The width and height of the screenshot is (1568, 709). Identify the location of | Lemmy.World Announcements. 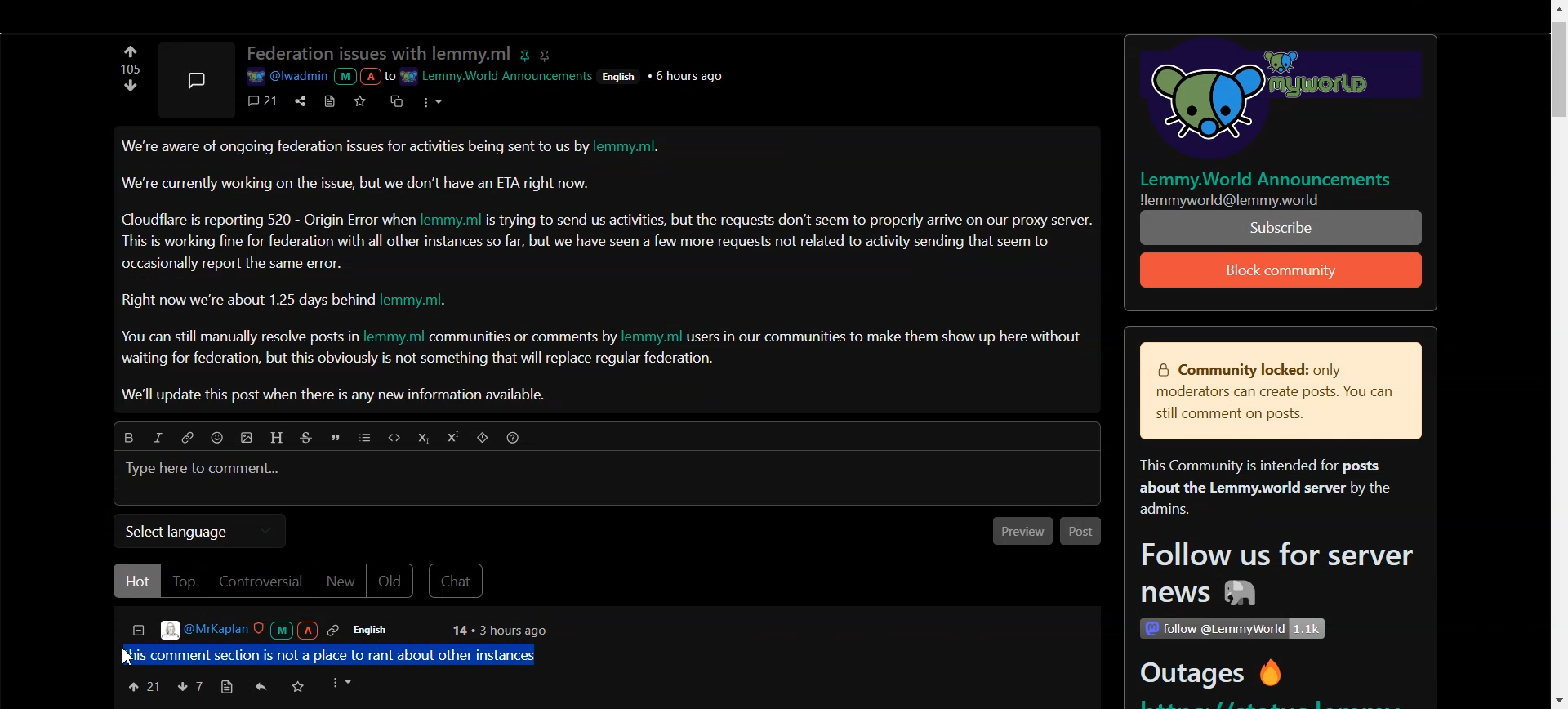
(1273, 179).